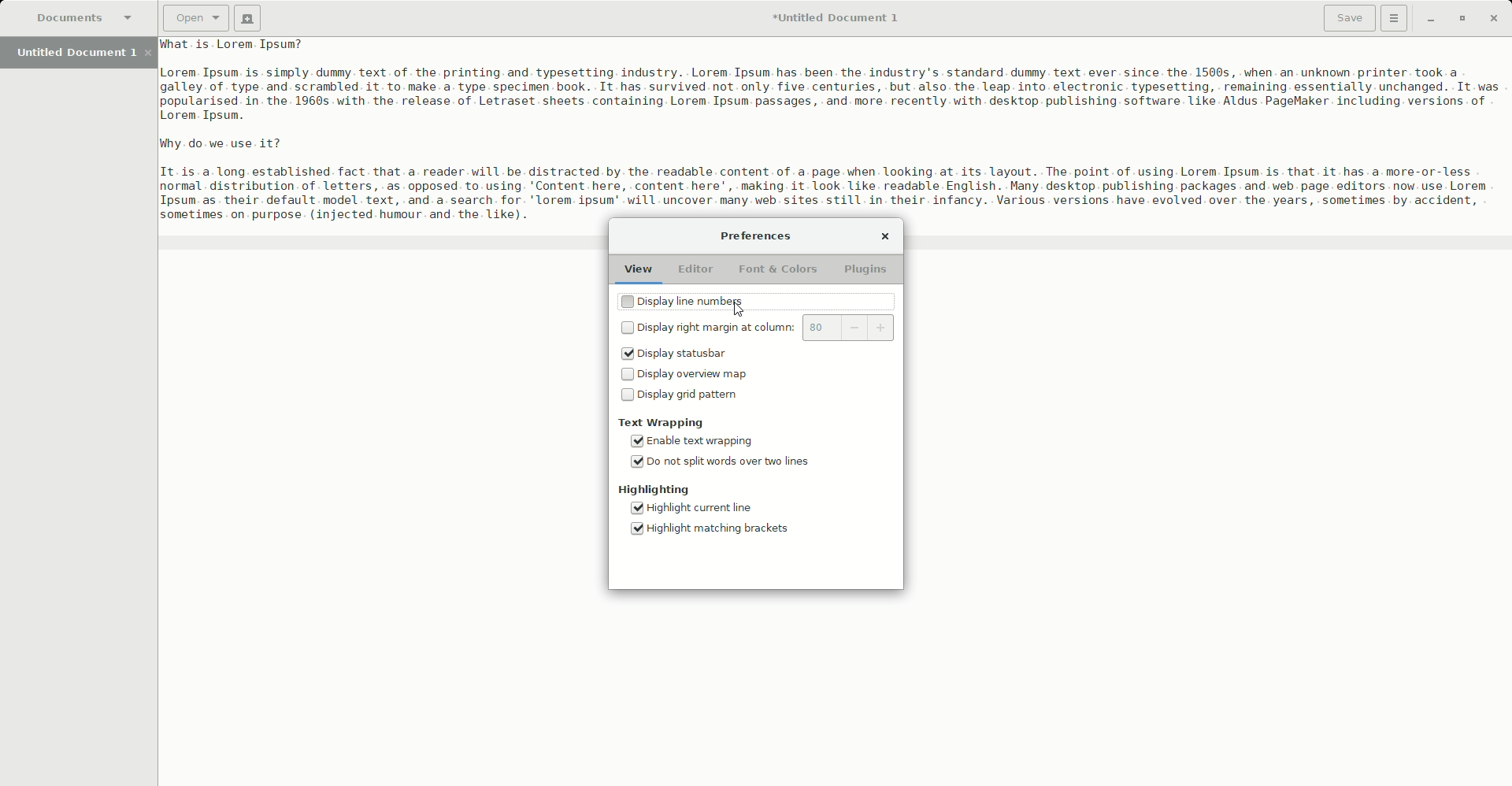 The height and width of the screenshot is (786, 1512). What do you see at coordinates (838, 19) in the screenshot?
I see `Untitled Document 1` at bounding box center [838, 19].